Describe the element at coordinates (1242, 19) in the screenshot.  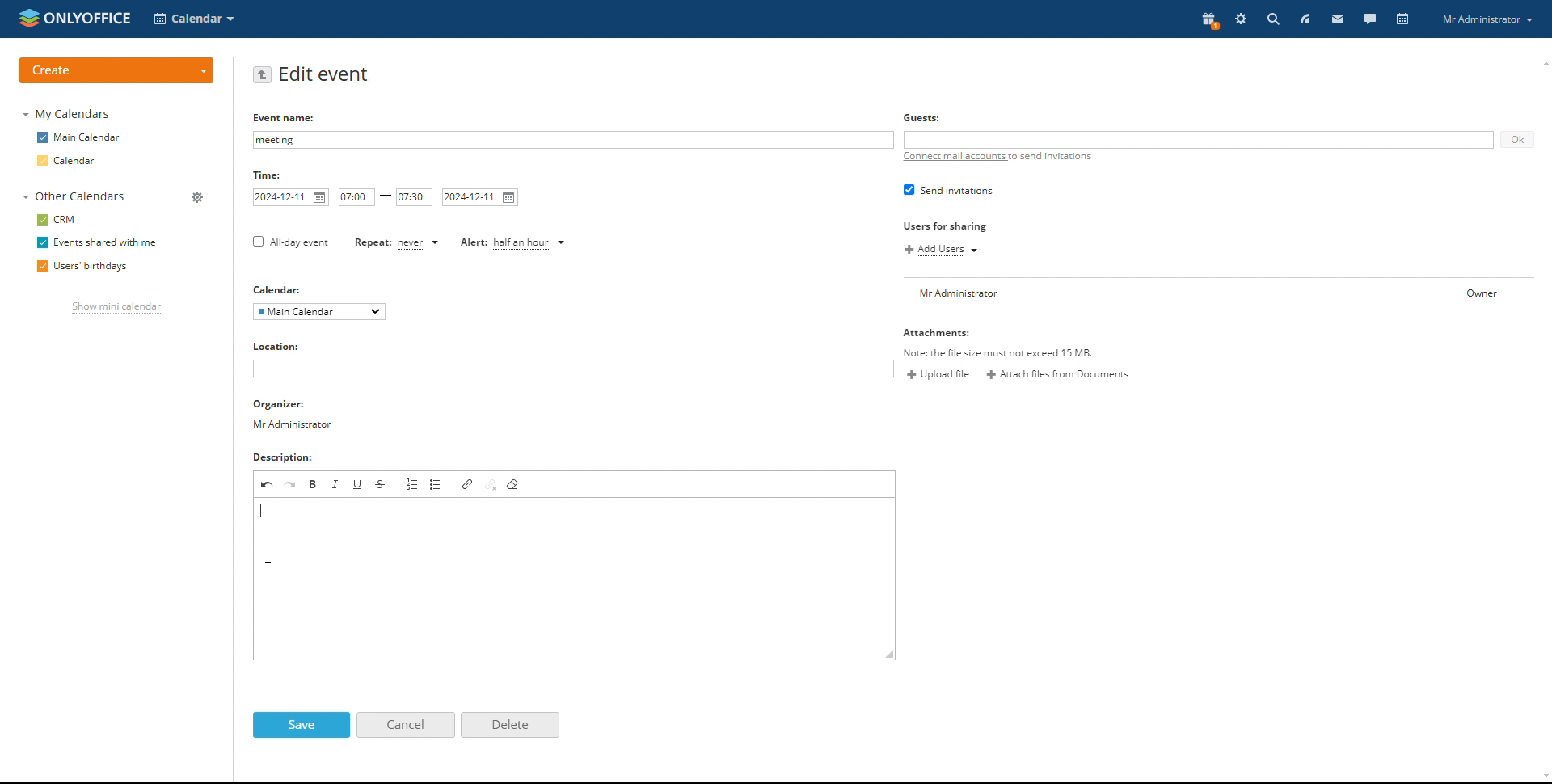
I see `settings` at that location.